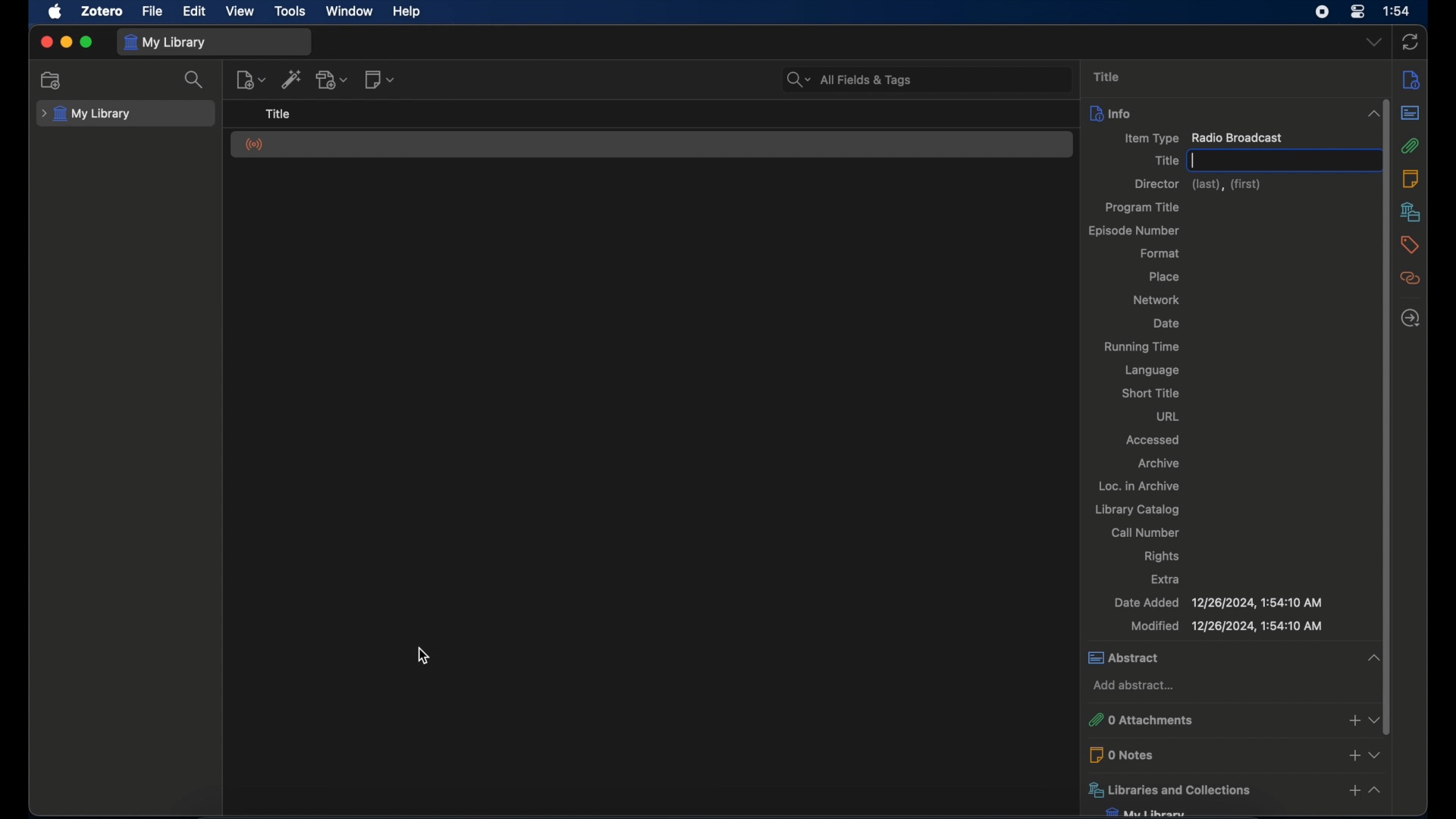 Image resolution: width=1456 pixels, height=819 pixels. I want to click on edit, so click(195, 11).